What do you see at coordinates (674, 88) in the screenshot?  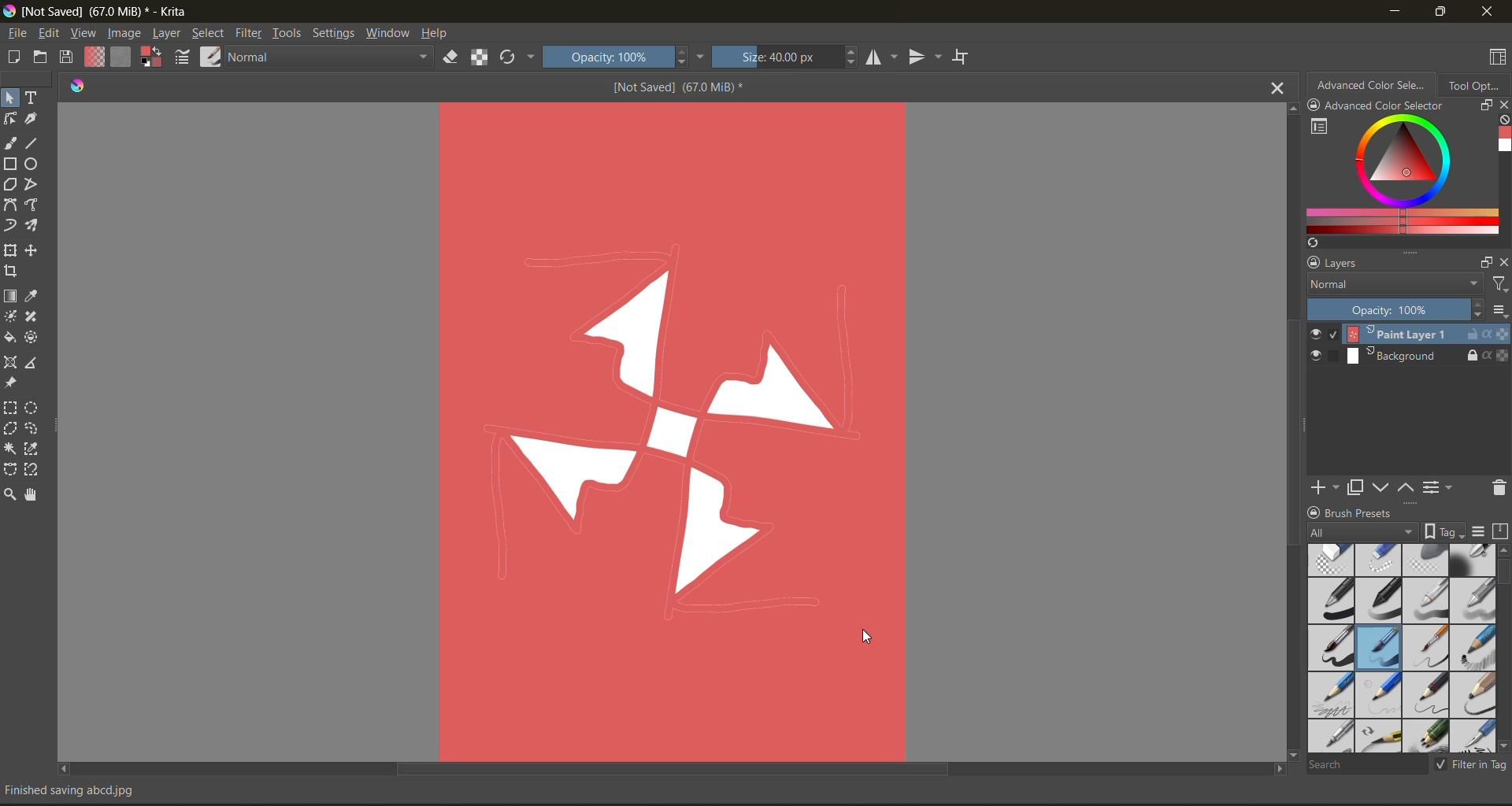 I see `[Not Saved] (67.0 MiB) *` at bounding box center [674, 88].